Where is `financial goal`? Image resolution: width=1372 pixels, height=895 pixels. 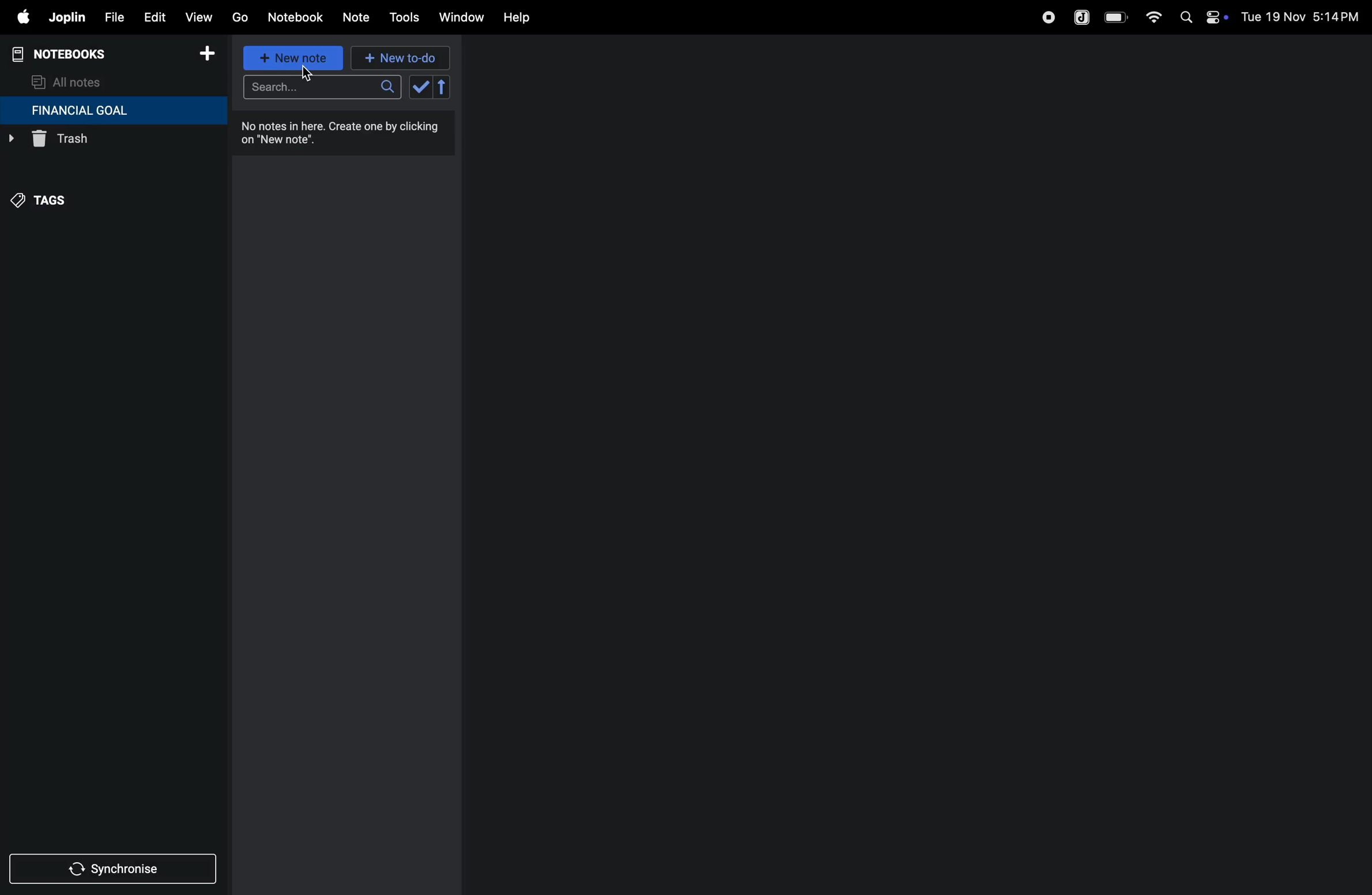 financial goal is located at coordinates (113, 111).